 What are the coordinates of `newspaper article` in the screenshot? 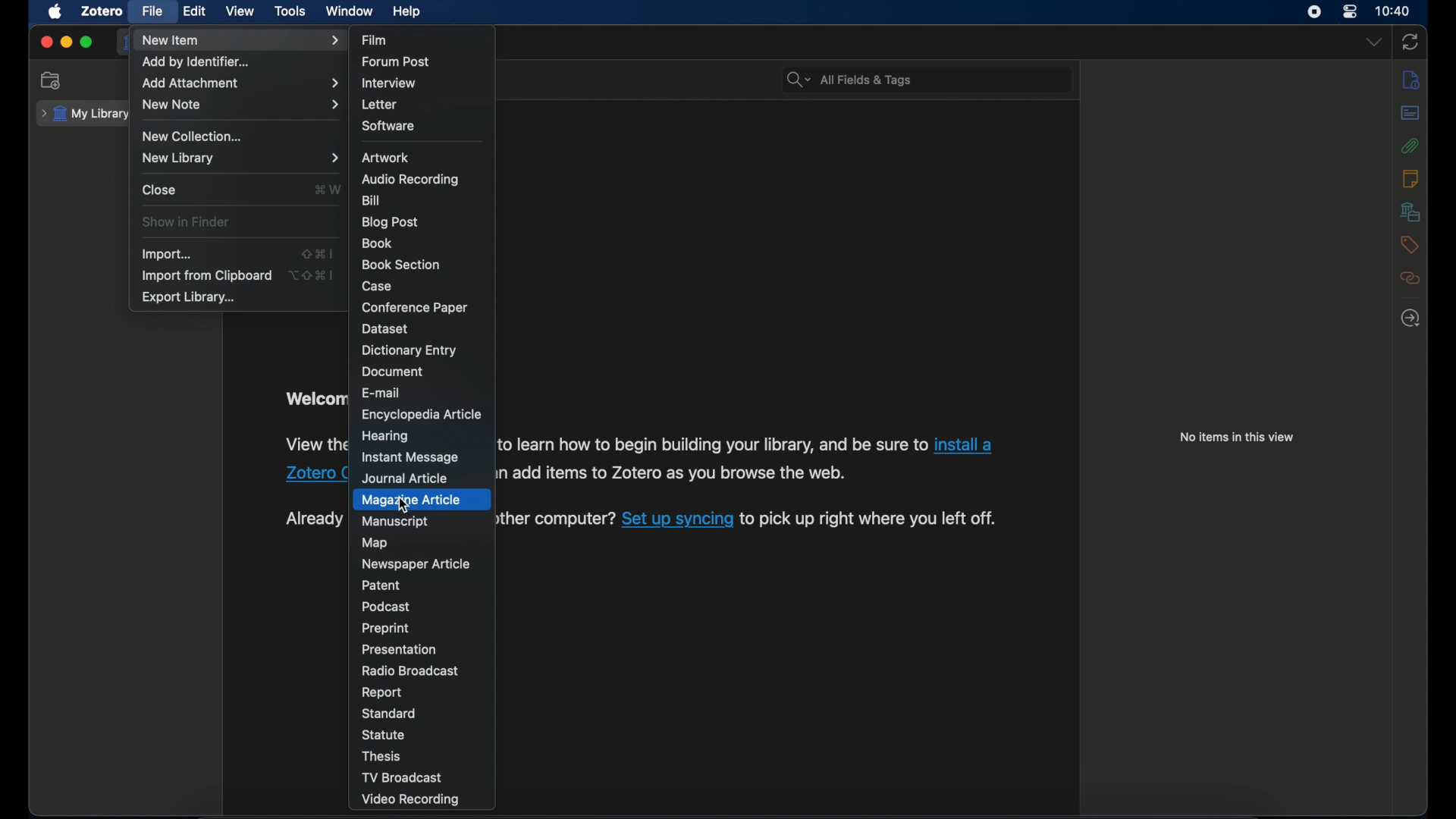 It's located at (415, 563).